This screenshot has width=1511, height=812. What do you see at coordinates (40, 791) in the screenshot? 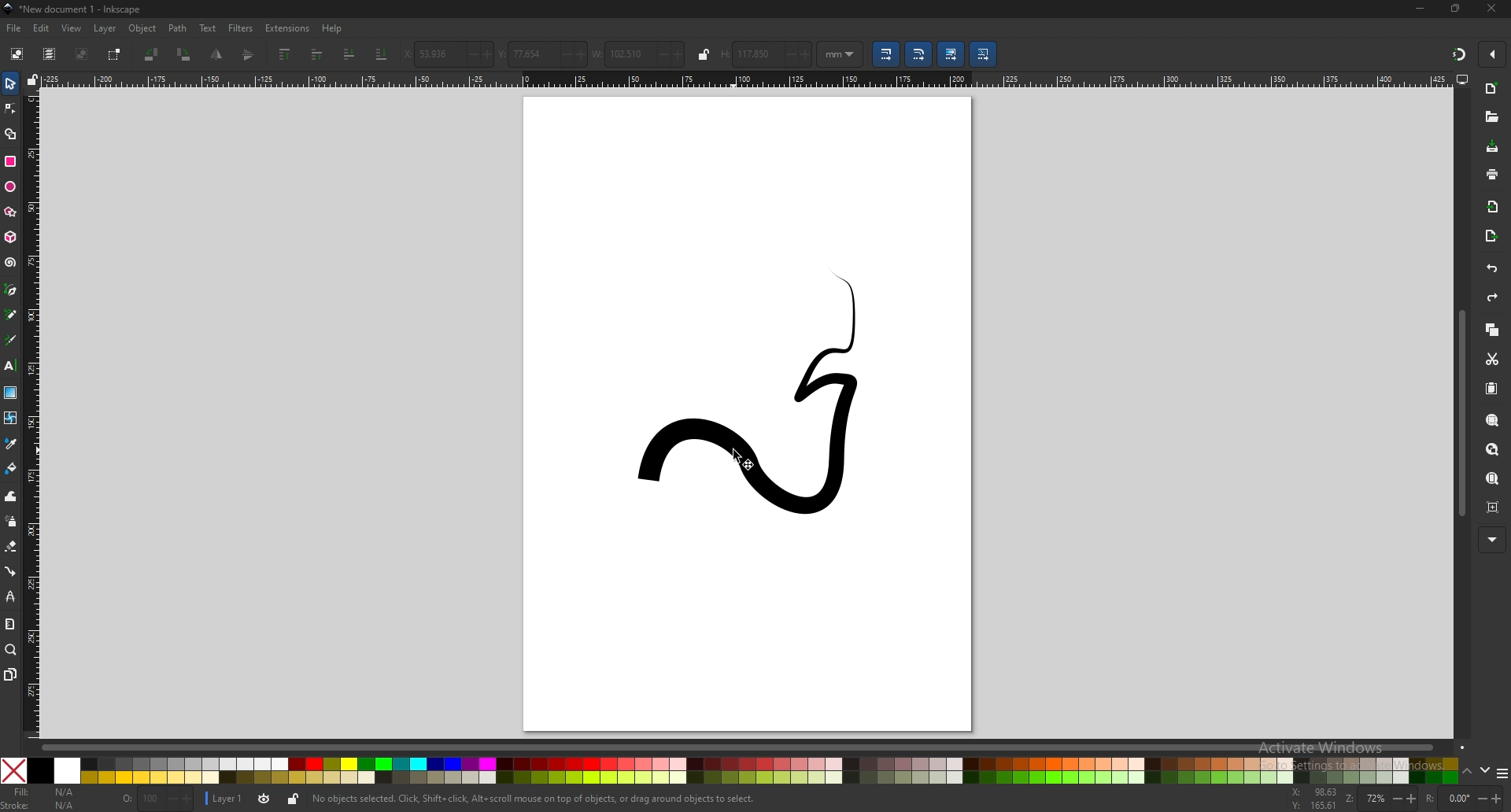
I see `fill` at bounding box center [40, 791].